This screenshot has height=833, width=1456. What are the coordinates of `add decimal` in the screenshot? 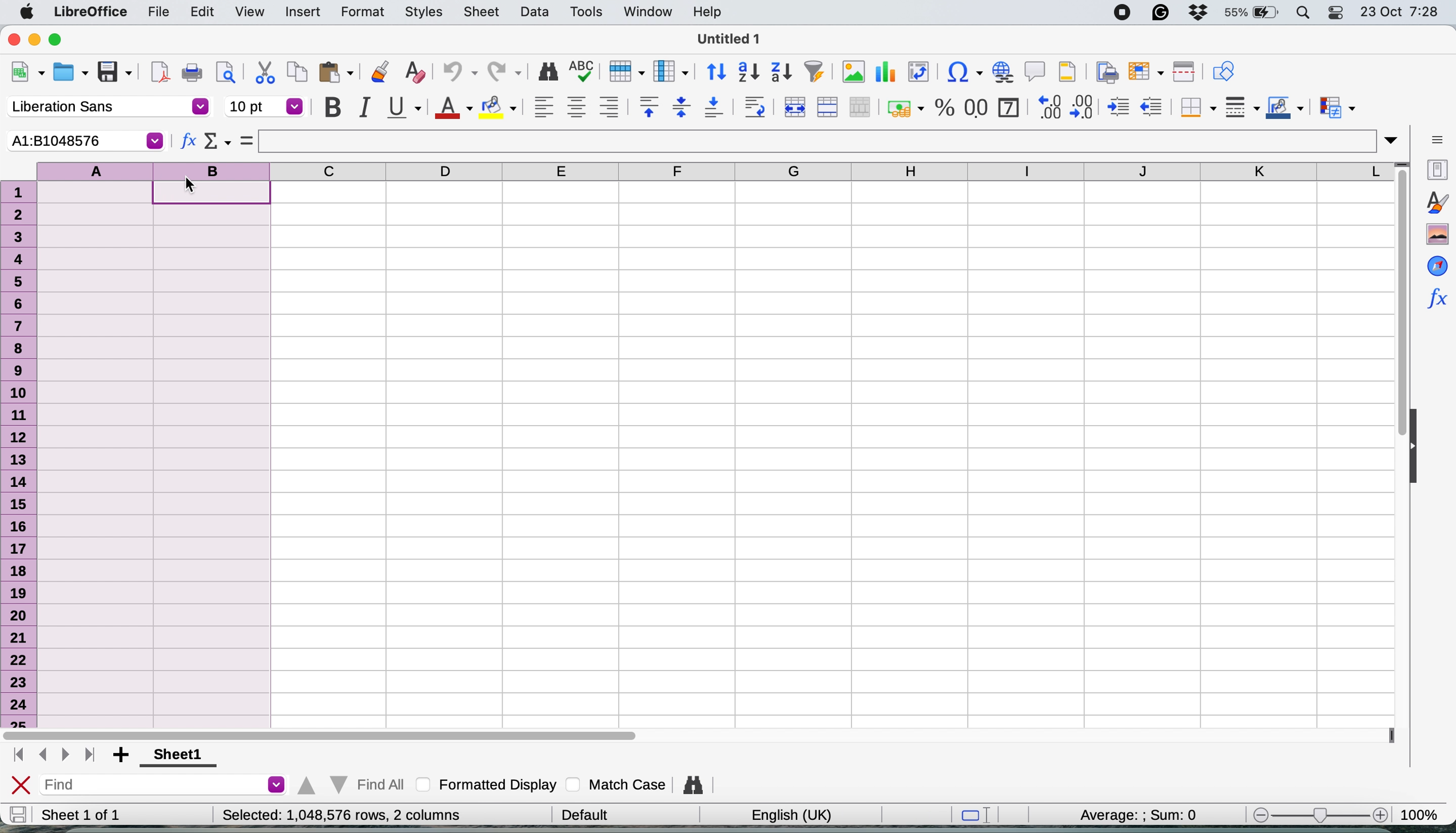 It's located at (1049, 106).